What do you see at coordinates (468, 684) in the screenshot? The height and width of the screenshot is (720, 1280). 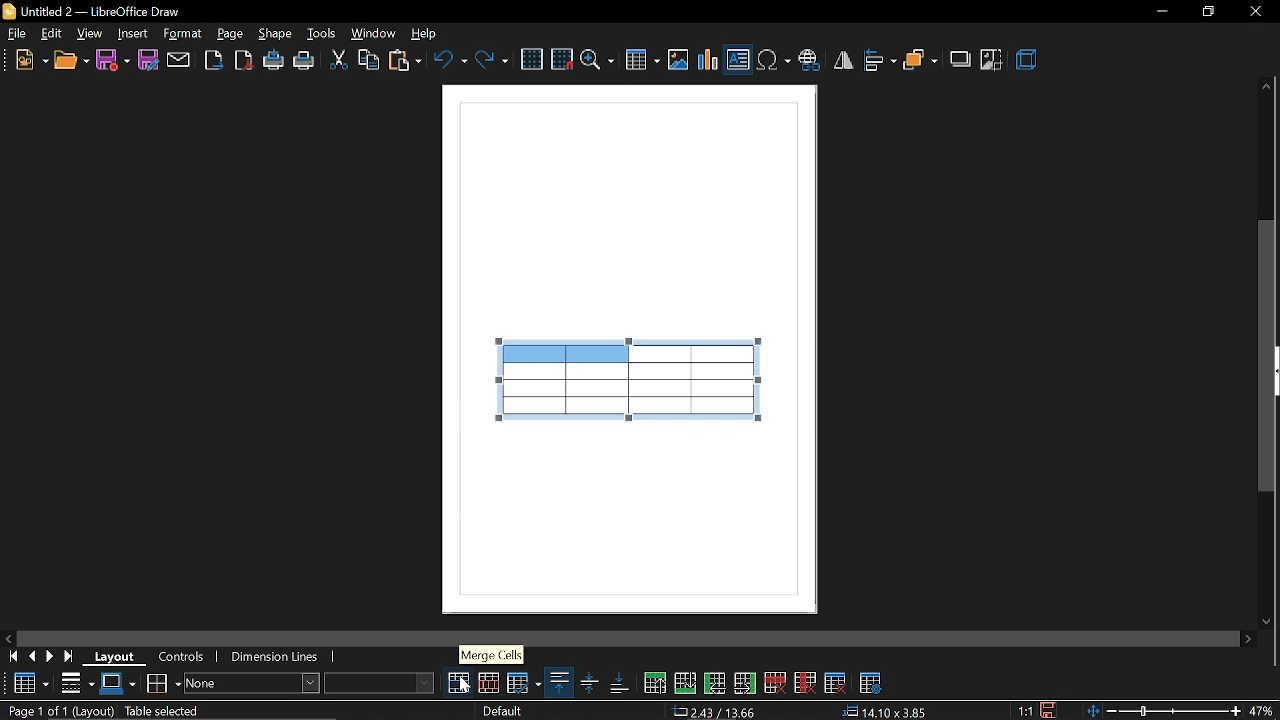 I see `Cursor` at bounding box center [468, 684].